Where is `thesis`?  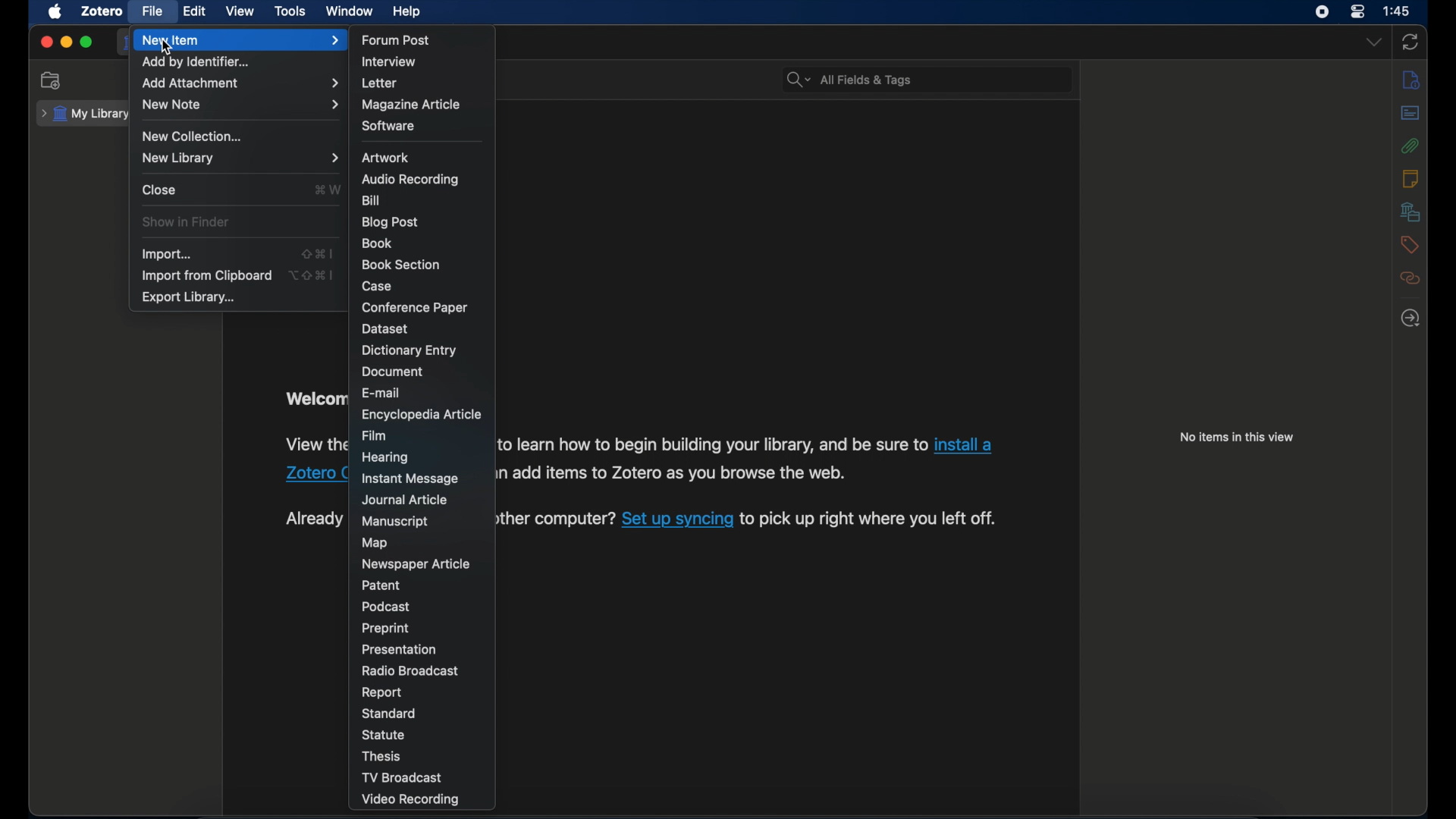 thesis is located at coordinates (381, 757).